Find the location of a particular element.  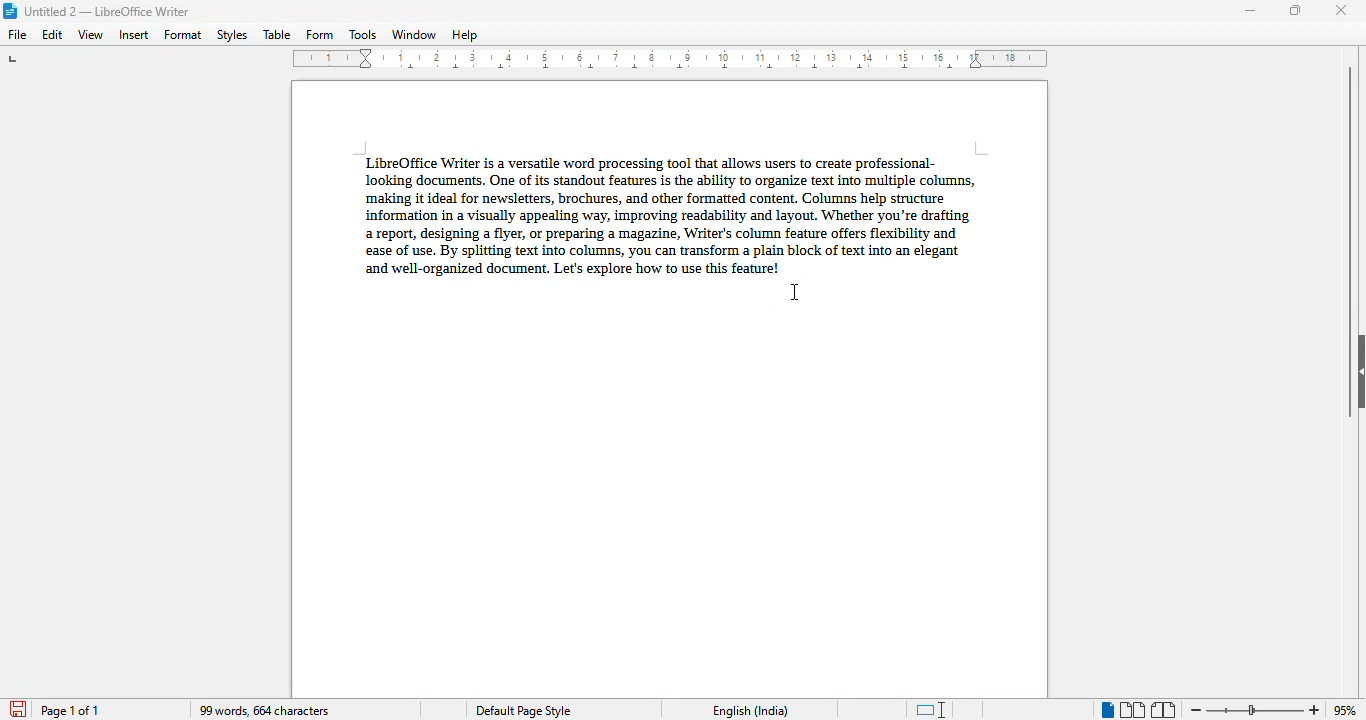

Change zoom level is located at coordinates (1257, 707).